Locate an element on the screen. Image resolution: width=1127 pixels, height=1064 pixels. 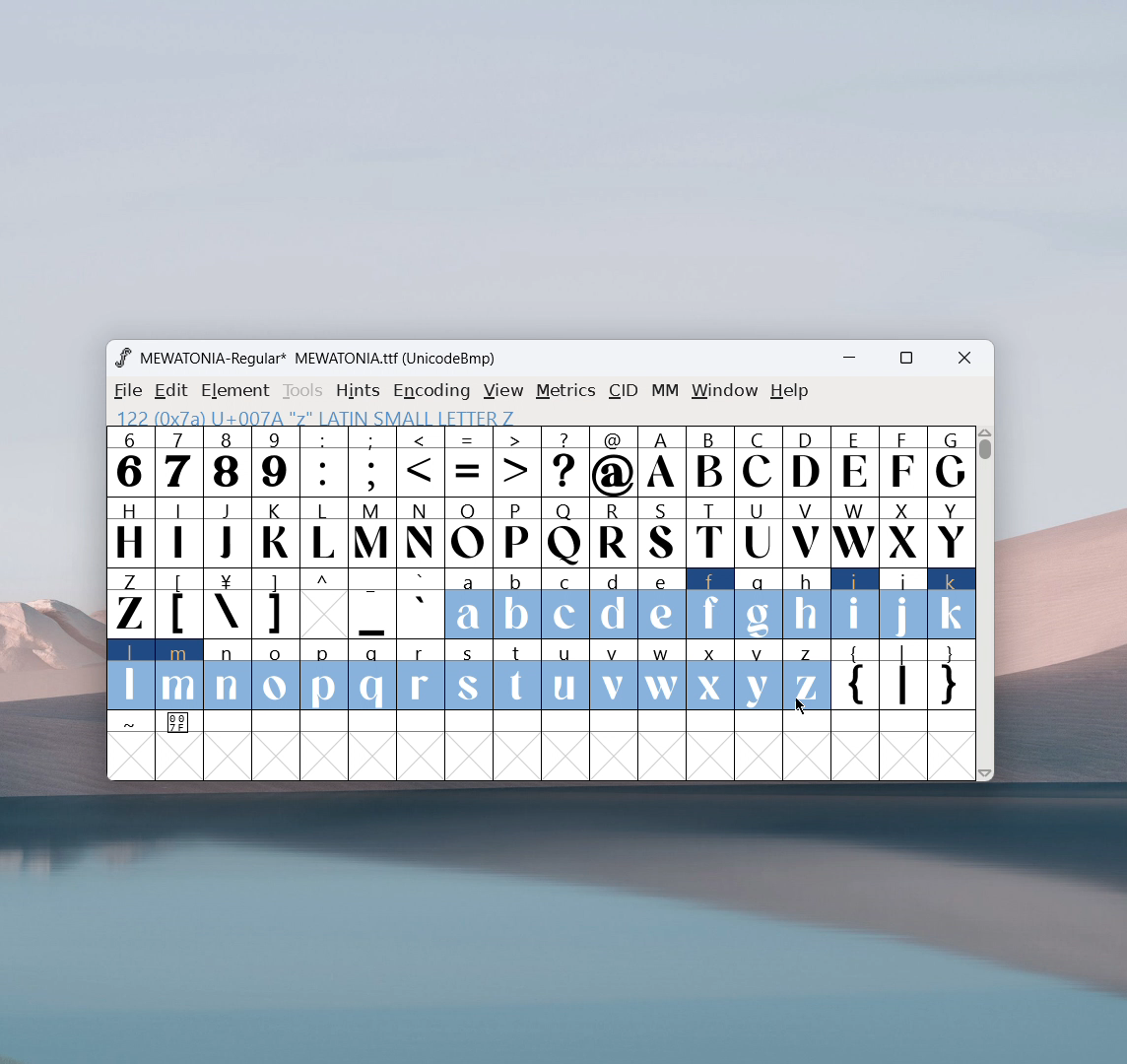
V is located at coordinates (805, 531).